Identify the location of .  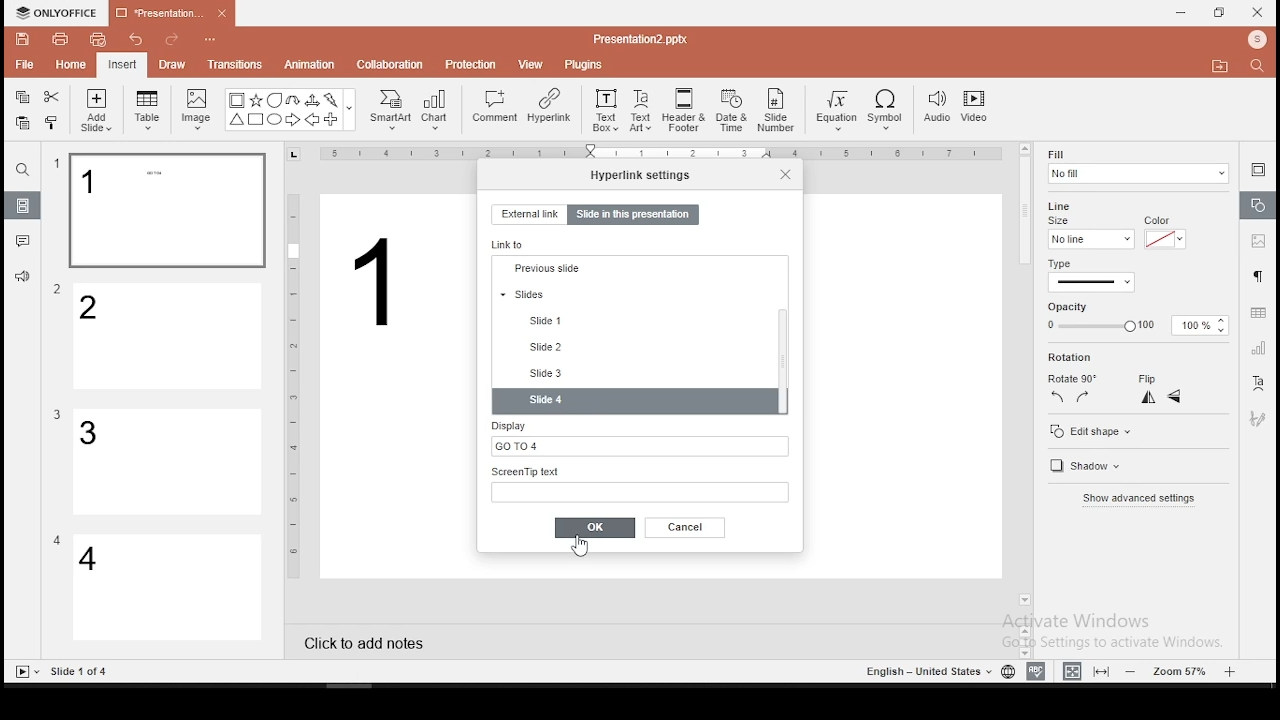
(1253, 418).